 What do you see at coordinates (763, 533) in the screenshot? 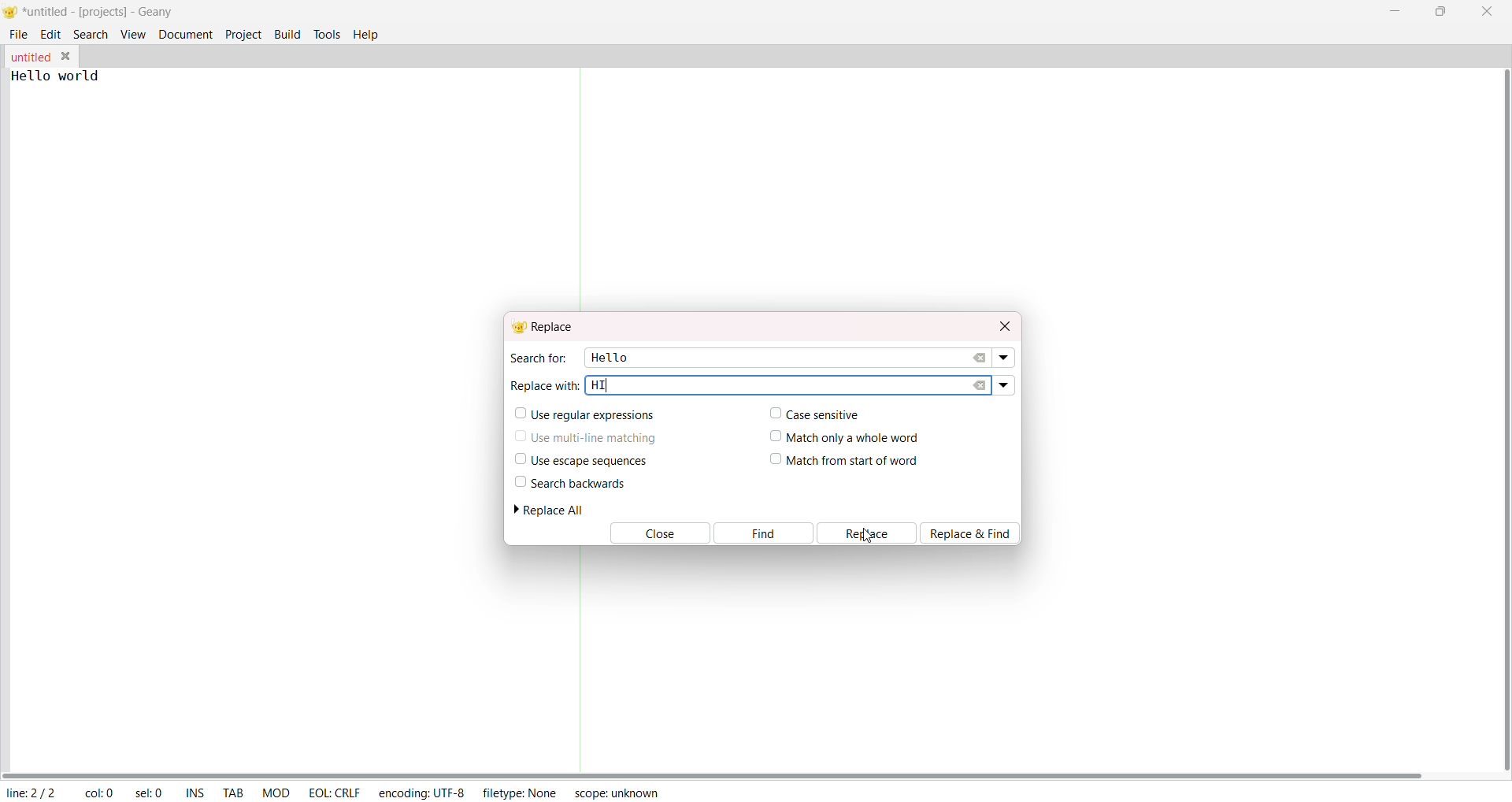
I see `find` at bounding box center [763, 533].